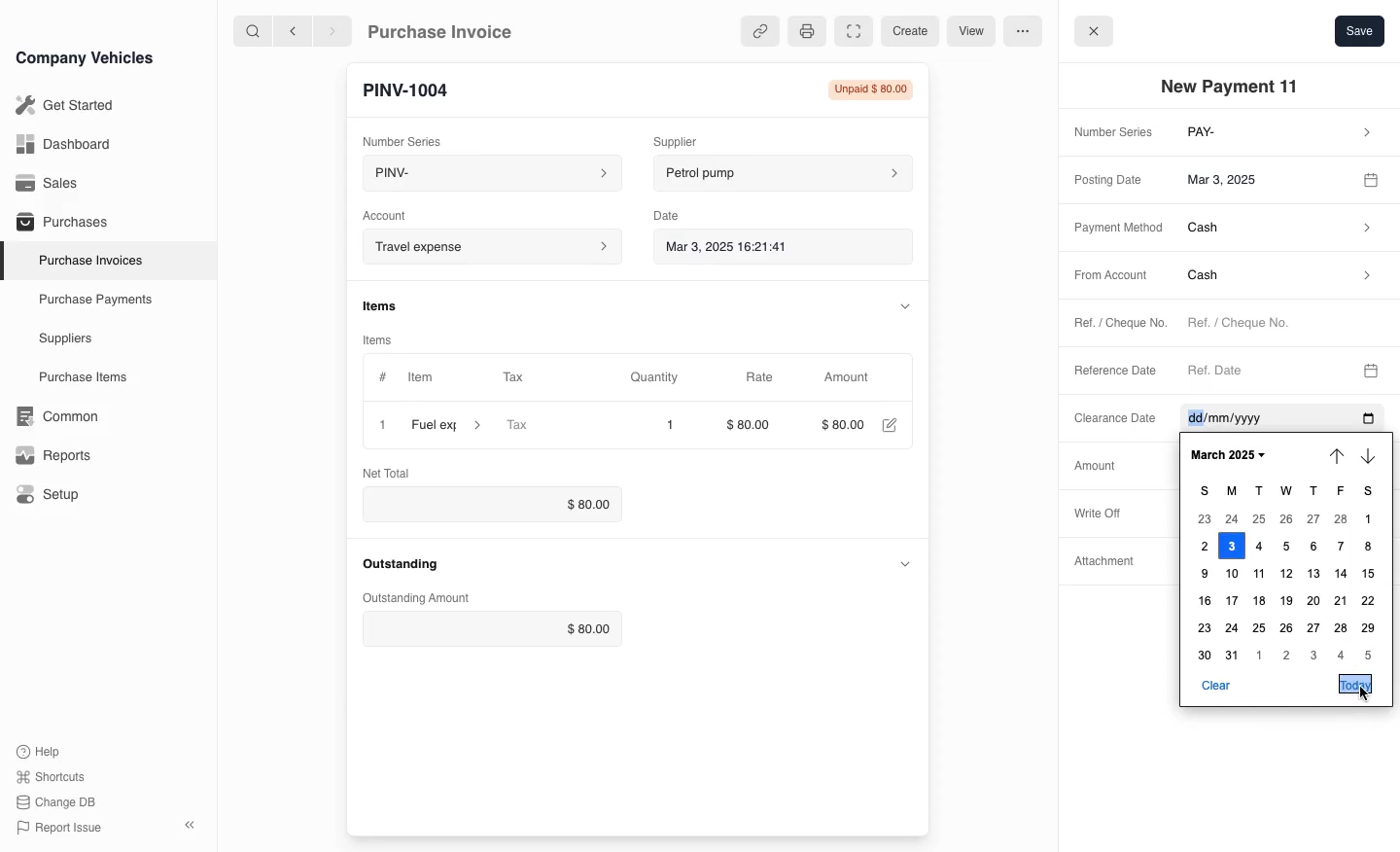 Image resolution: width=1400 pixels, height=852 pixels. What do you see at coordinates (784, 170) in the screenshot?
I see `petrol pump` at bounding box center [784, 170].